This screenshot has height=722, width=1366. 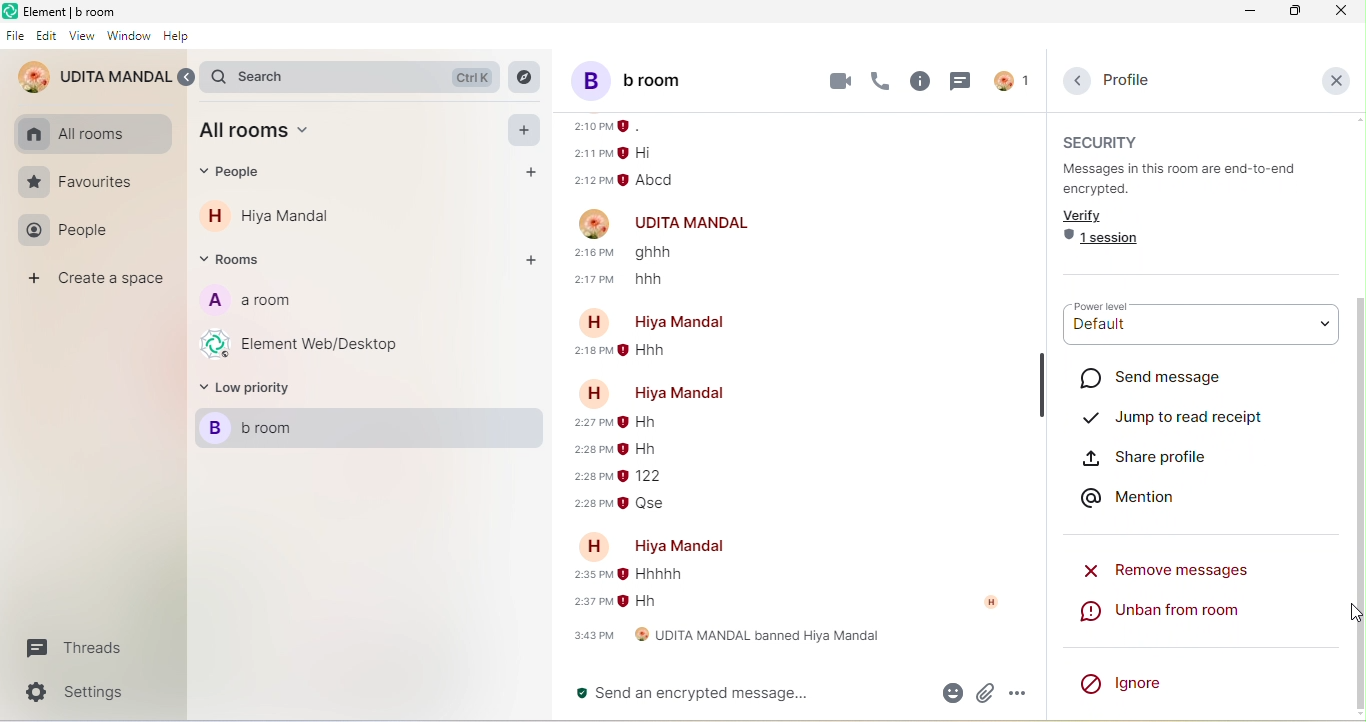 I want to click on messages in this room are end to end encrypted, so click(x=1191, y=179).